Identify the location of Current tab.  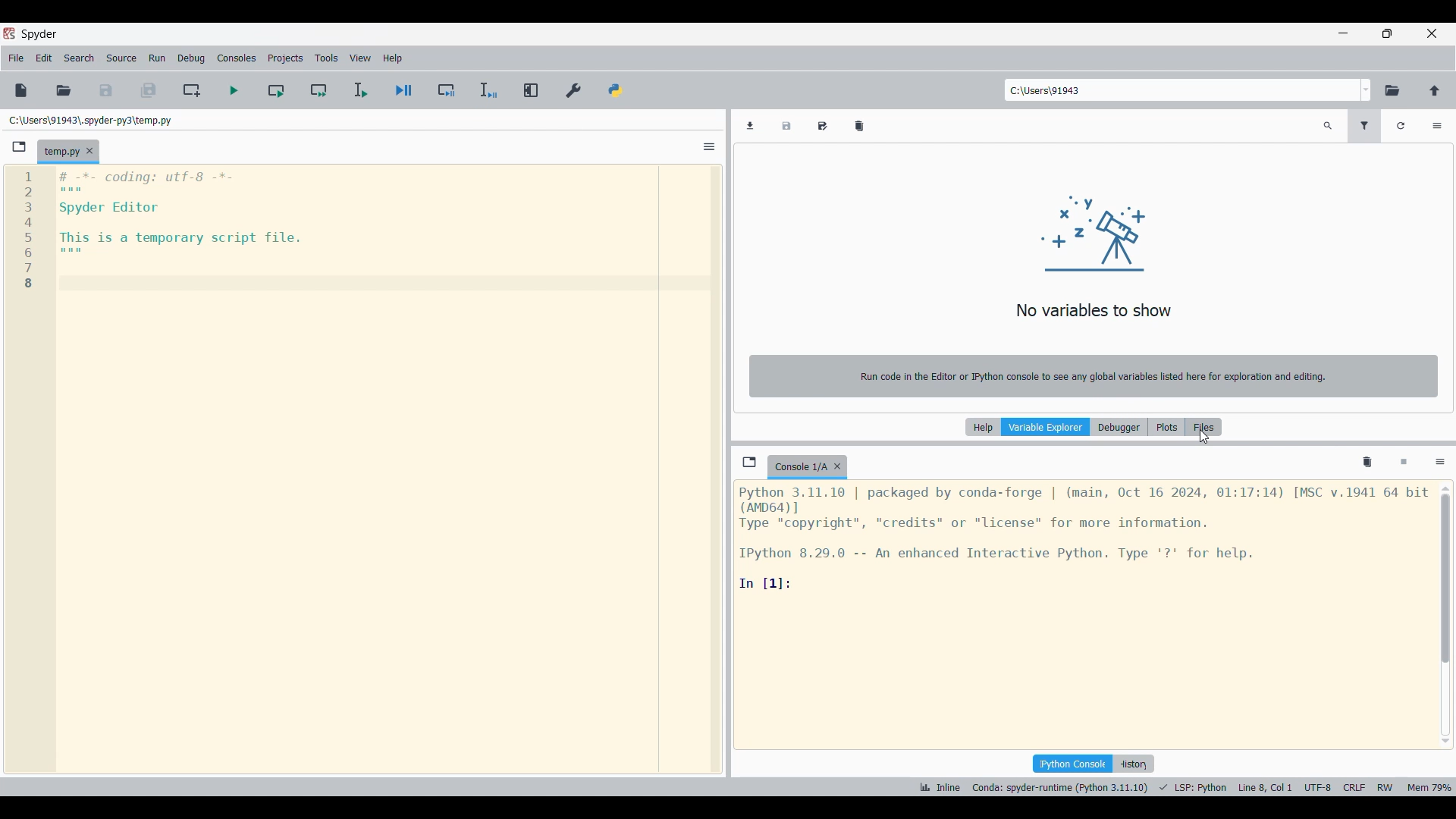
(799, 467).